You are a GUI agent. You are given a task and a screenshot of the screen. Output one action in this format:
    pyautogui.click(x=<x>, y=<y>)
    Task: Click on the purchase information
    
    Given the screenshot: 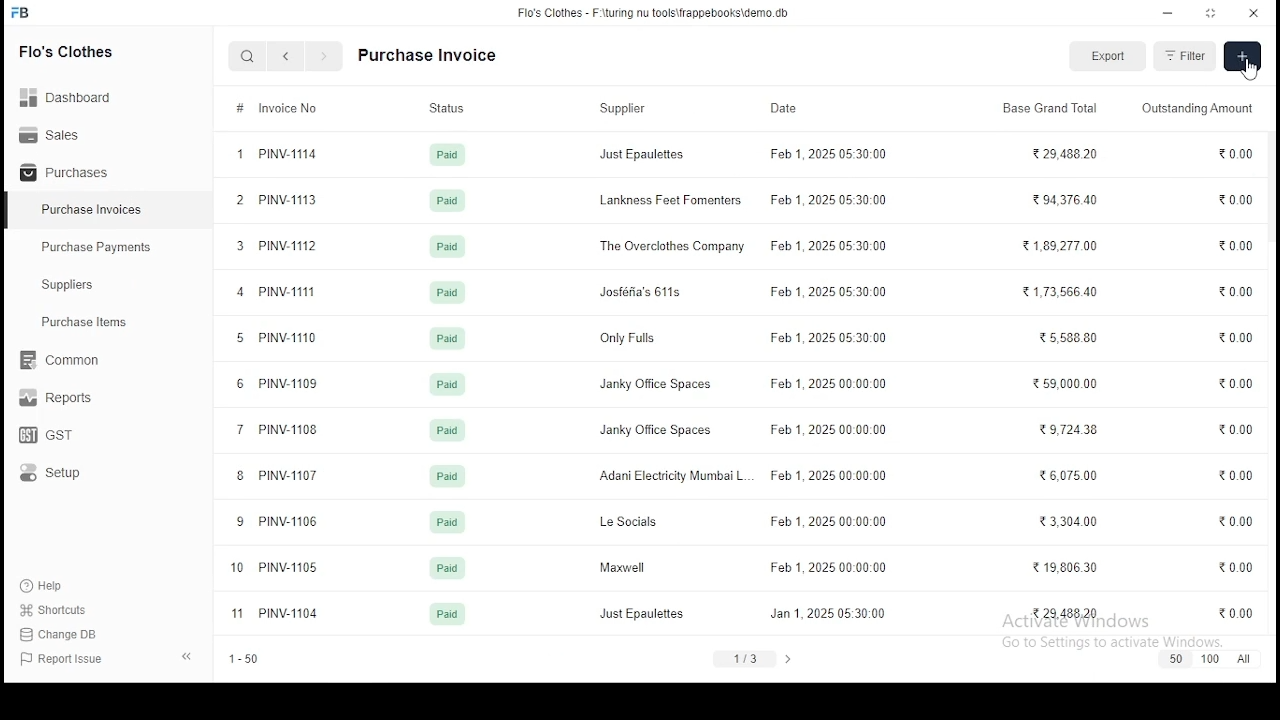 What is the action you would take?
    pyautogui.click(x=428, y=57)
    